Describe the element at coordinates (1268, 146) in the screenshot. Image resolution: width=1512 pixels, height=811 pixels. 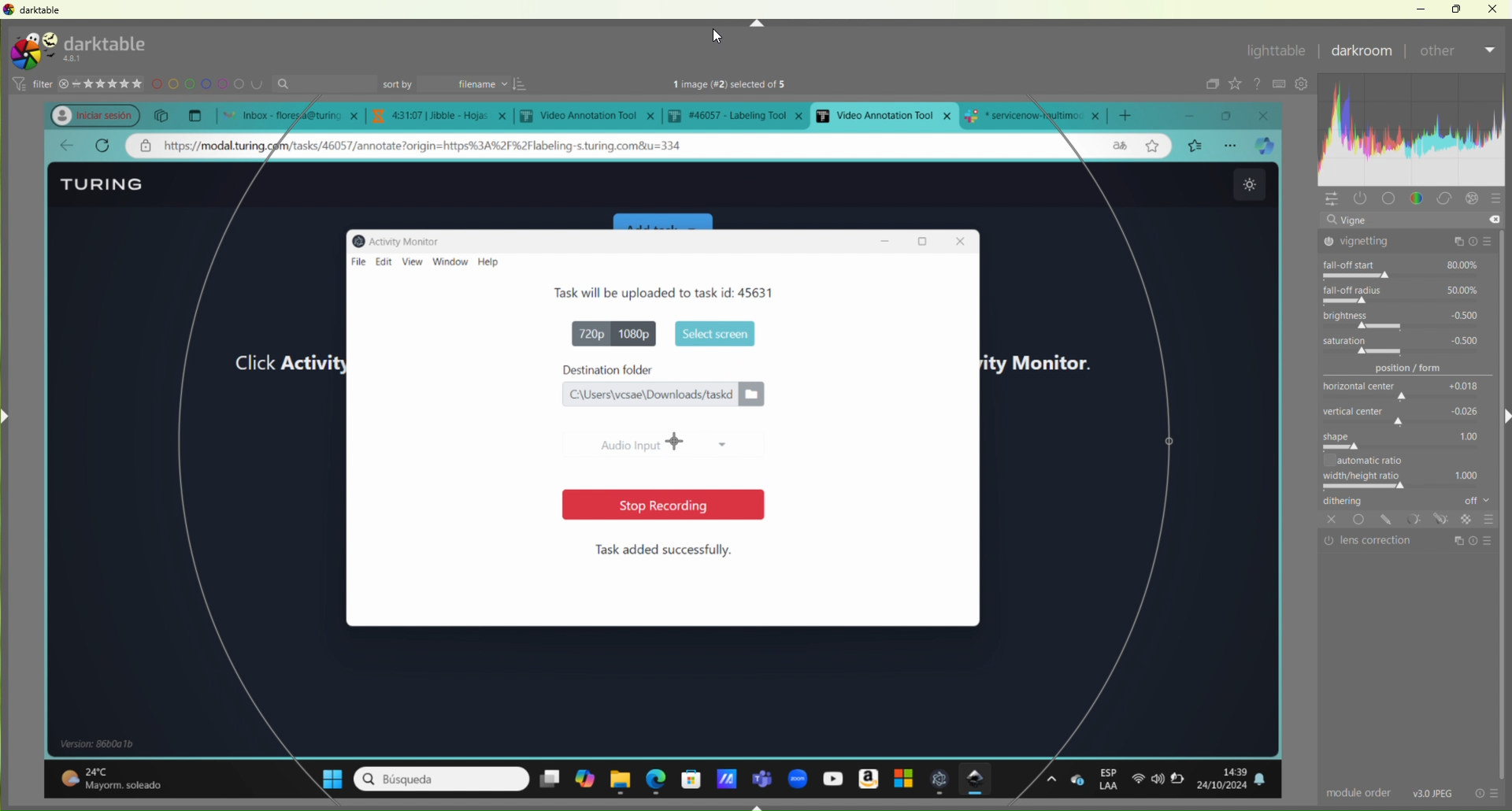
I see `broswer` at that location.